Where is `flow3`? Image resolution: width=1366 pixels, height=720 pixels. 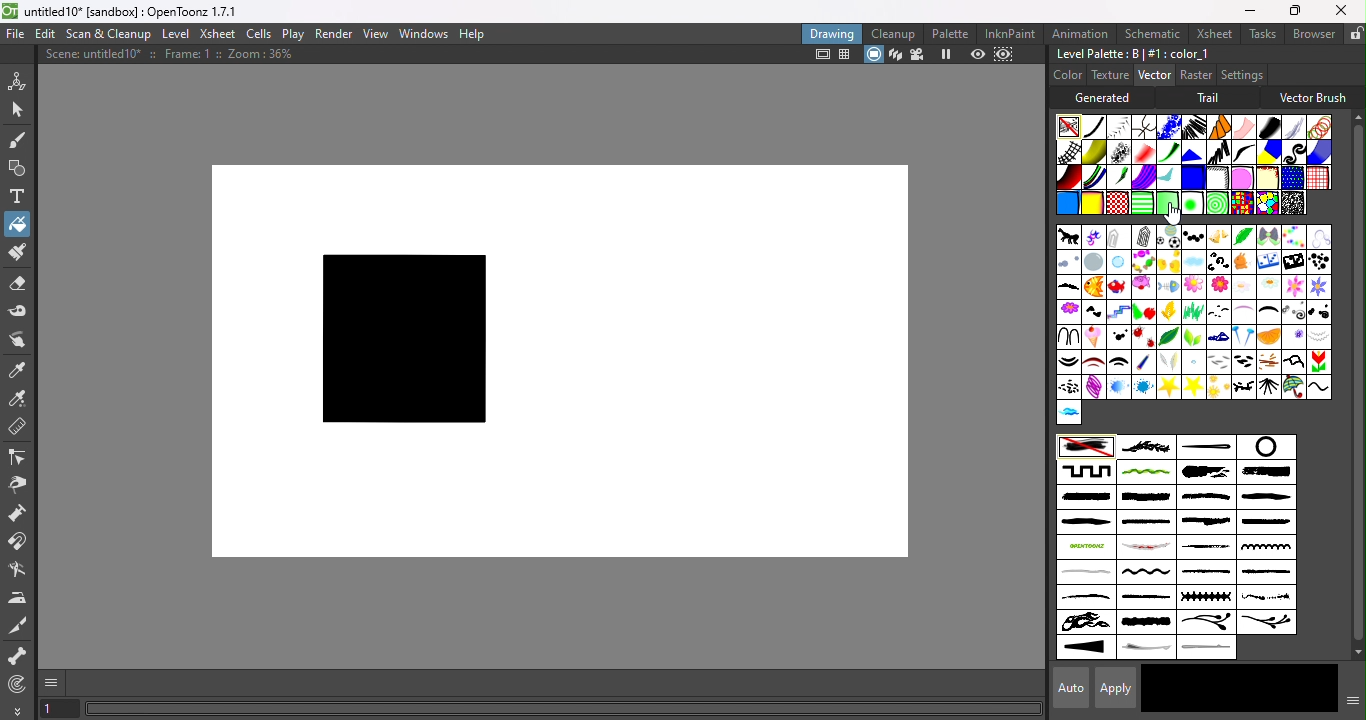
flow3 is located at coordinates (1243, 286).